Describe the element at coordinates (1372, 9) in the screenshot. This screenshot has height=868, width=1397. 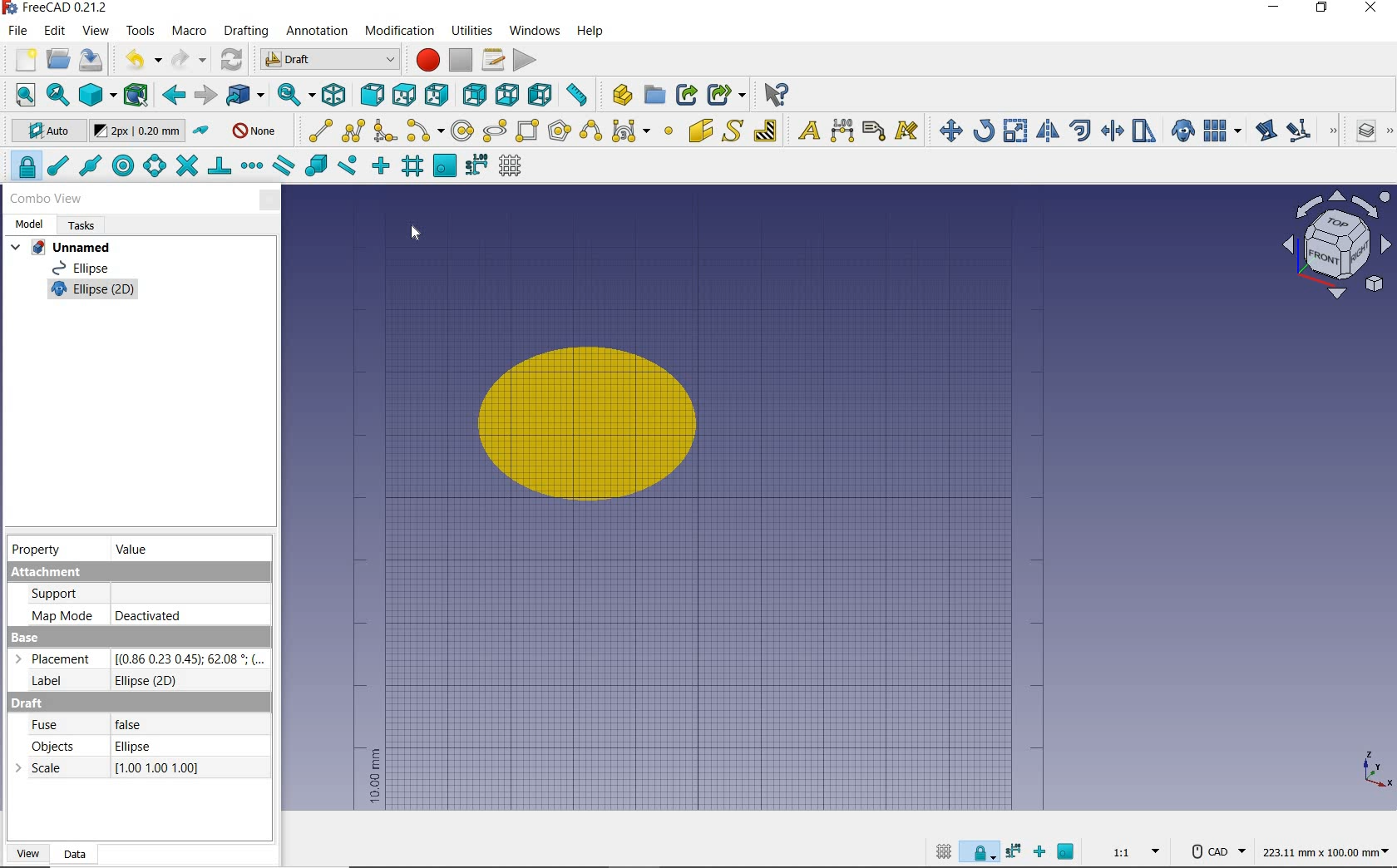
I see `close` at that location.